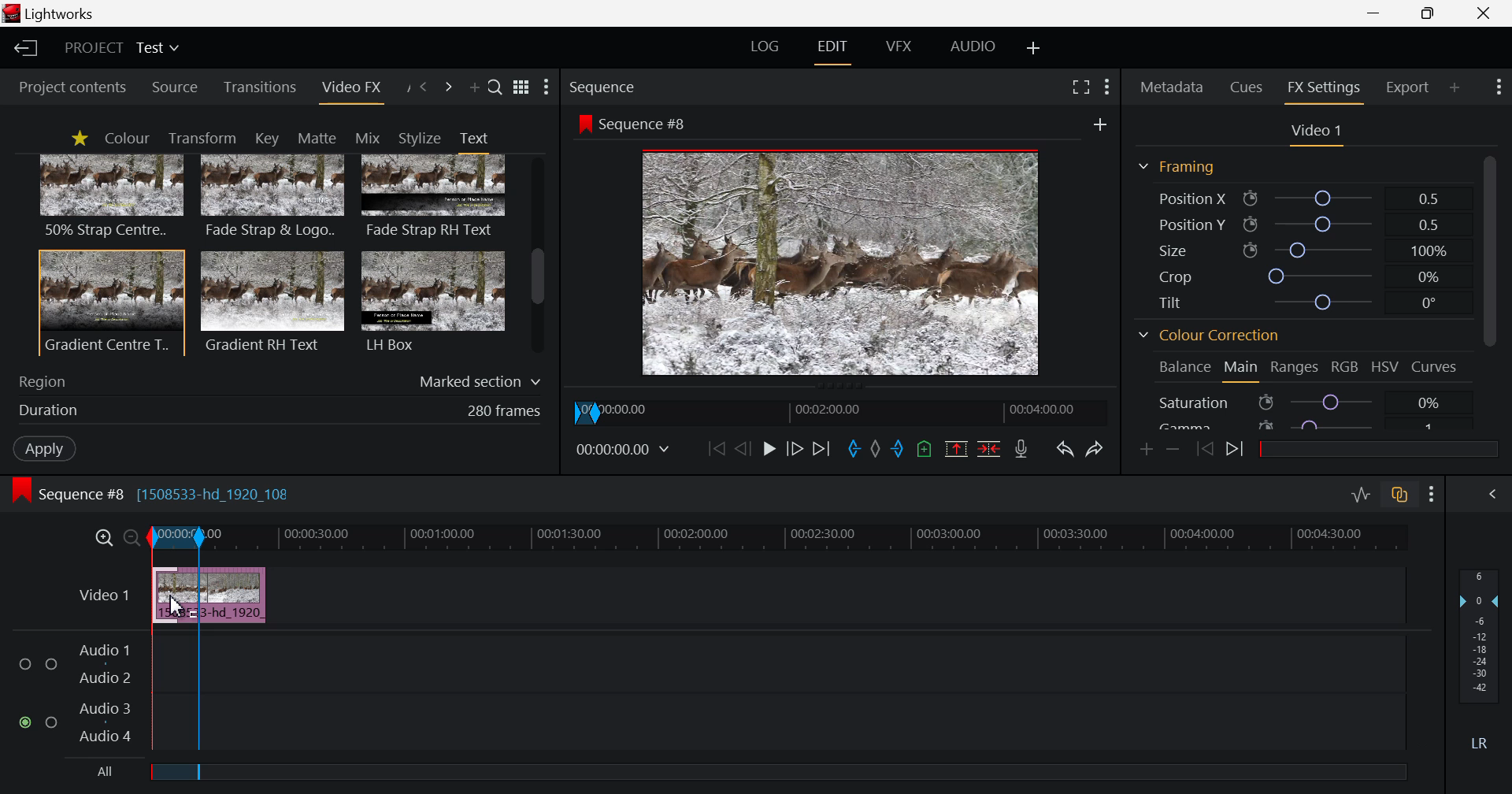 This screenshot has width=1512, height=794. Describe the element at coordinates (1323, 87) in the screenshot. I see `FX Settings` at that location.